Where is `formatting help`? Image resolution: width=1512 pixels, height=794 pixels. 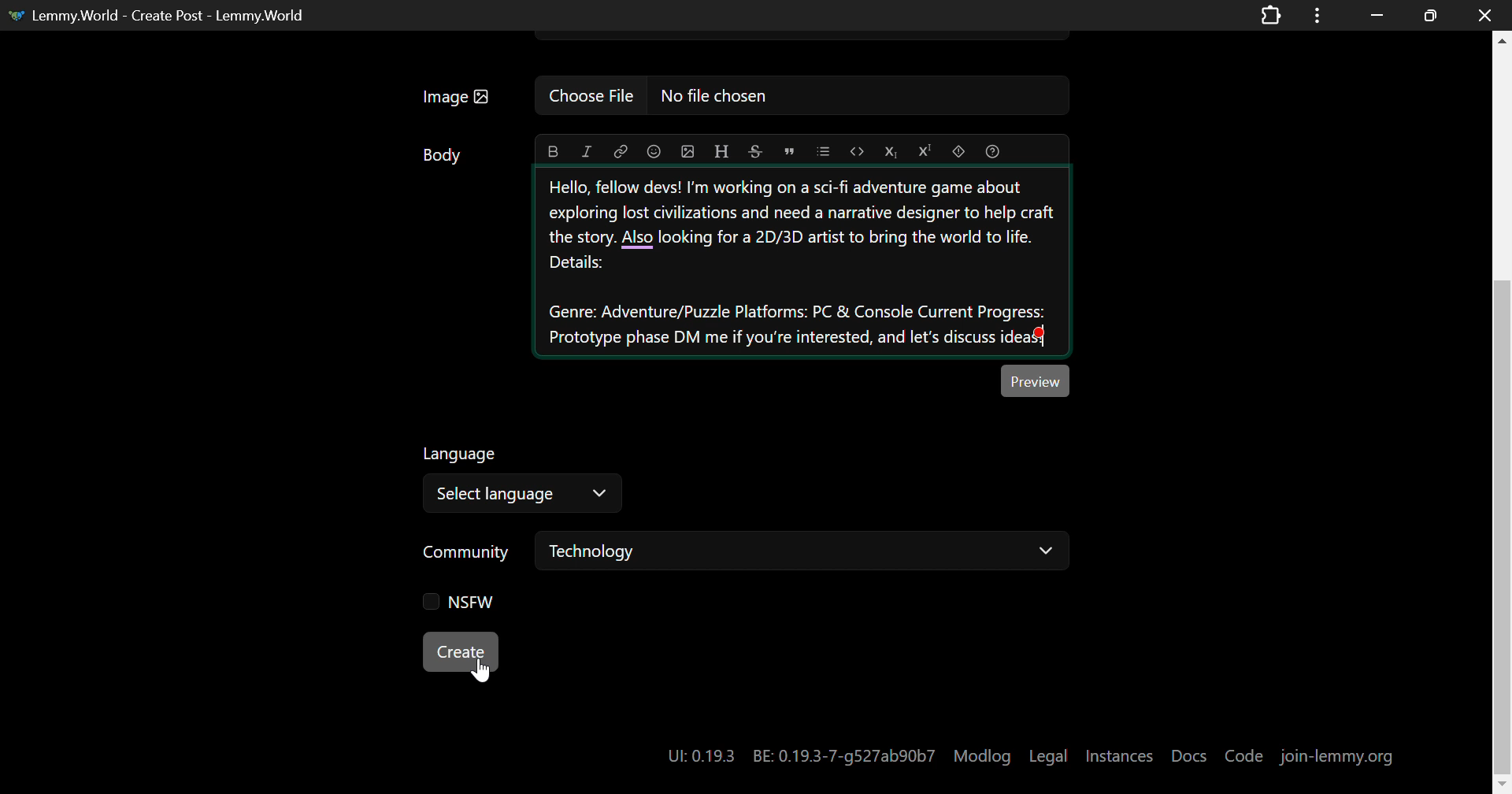
formatting help is located at coordinates (992, 150).